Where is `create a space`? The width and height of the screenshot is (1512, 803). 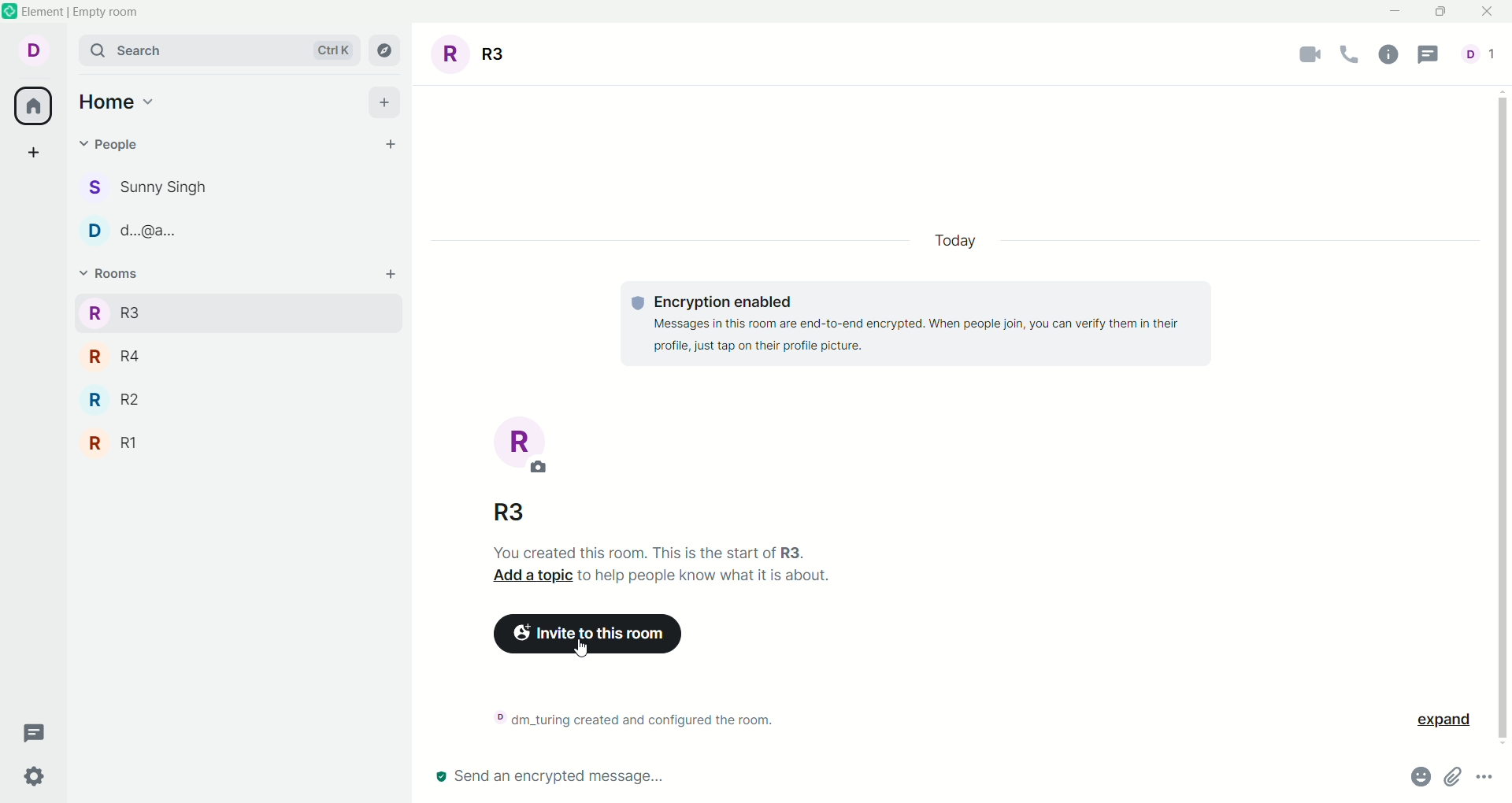 create a space is located at coordinates (32, 154).